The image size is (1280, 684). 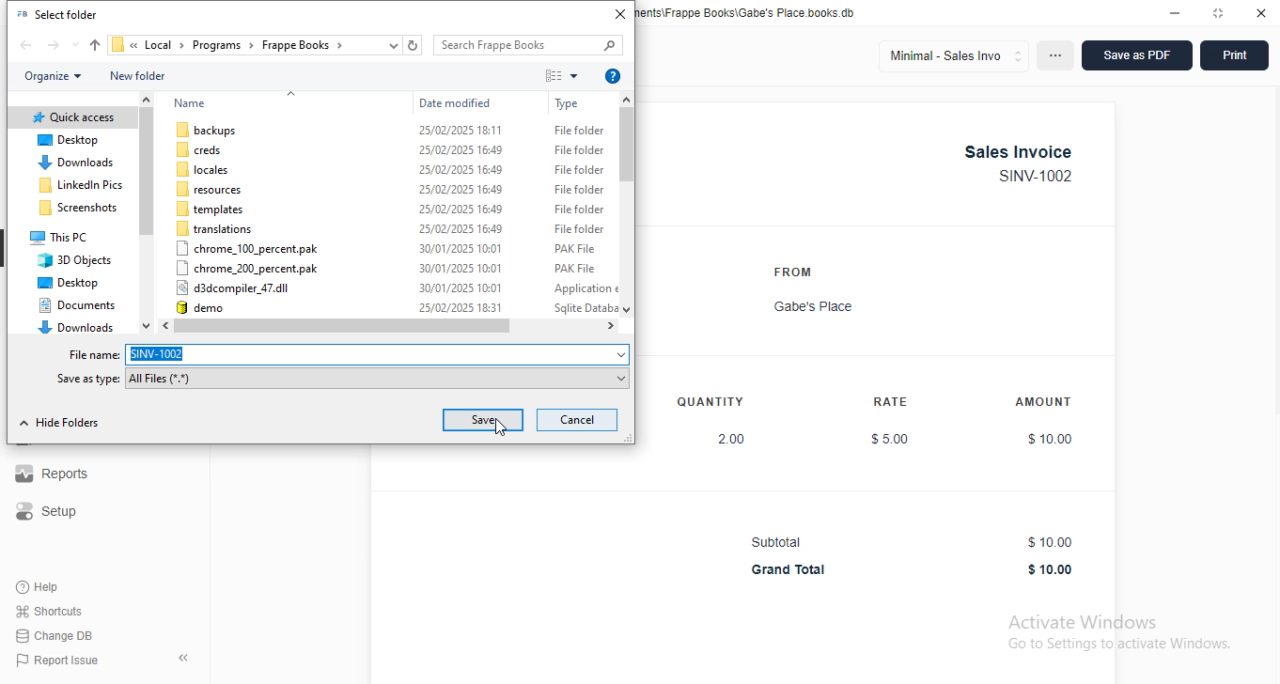 I want to click on SINV-1002, so click(x=1035, y=176).